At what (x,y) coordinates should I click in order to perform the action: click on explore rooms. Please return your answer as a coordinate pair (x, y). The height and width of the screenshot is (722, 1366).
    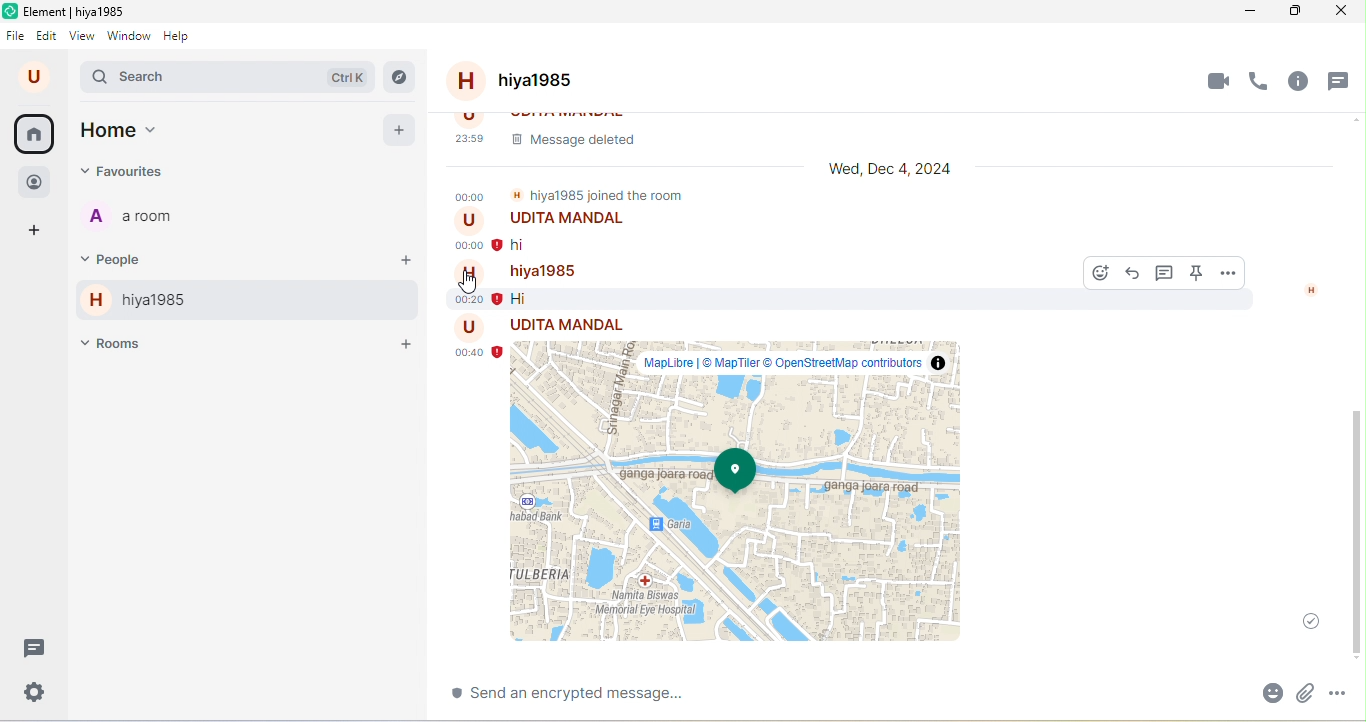
    Looking at the image, I should click on (399, 78).